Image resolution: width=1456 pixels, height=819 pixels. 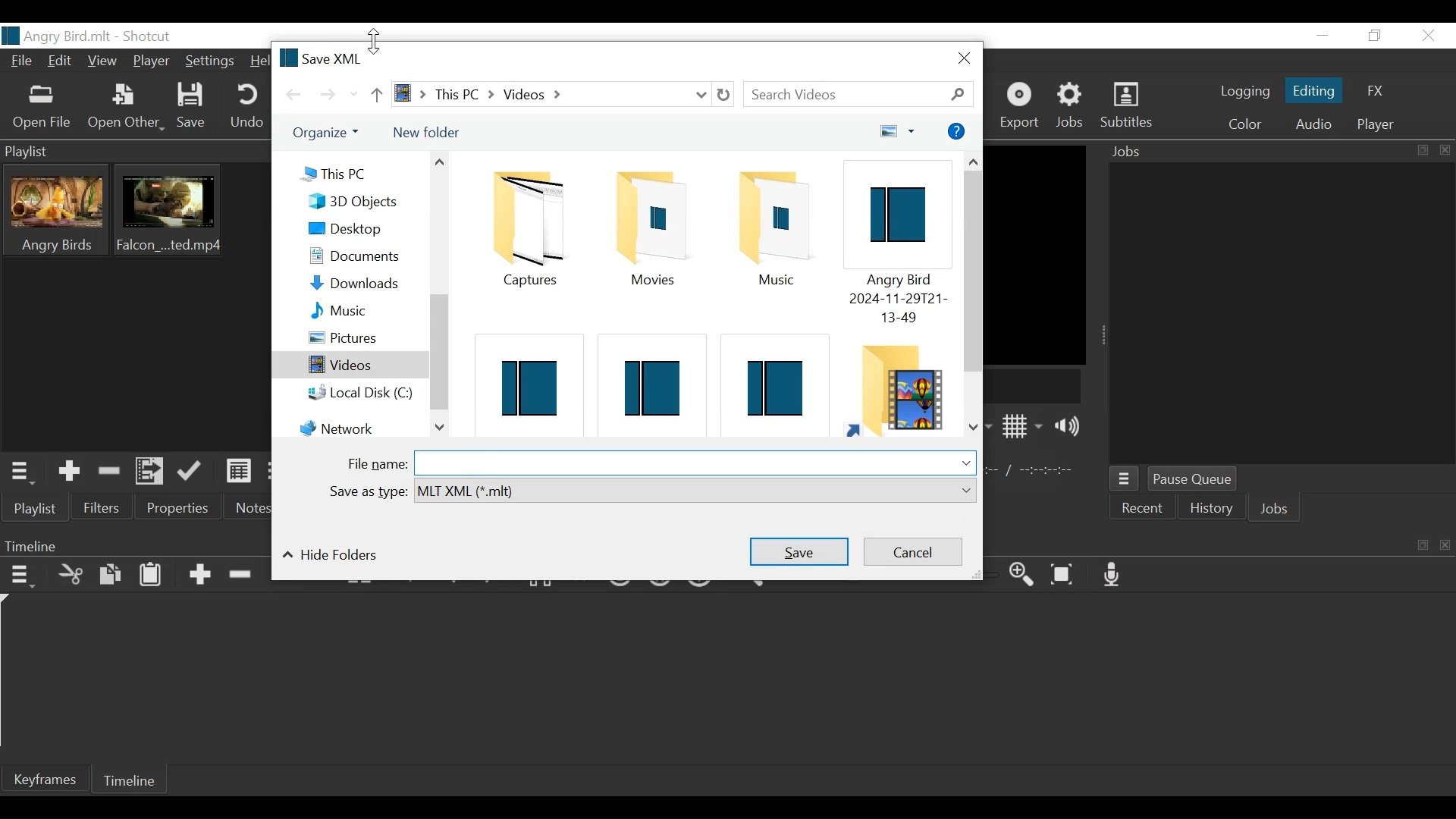 What do you see at coordinates (975, 159) in the screenshot?
I see `Scroll up` at bounding box center [975, 159].